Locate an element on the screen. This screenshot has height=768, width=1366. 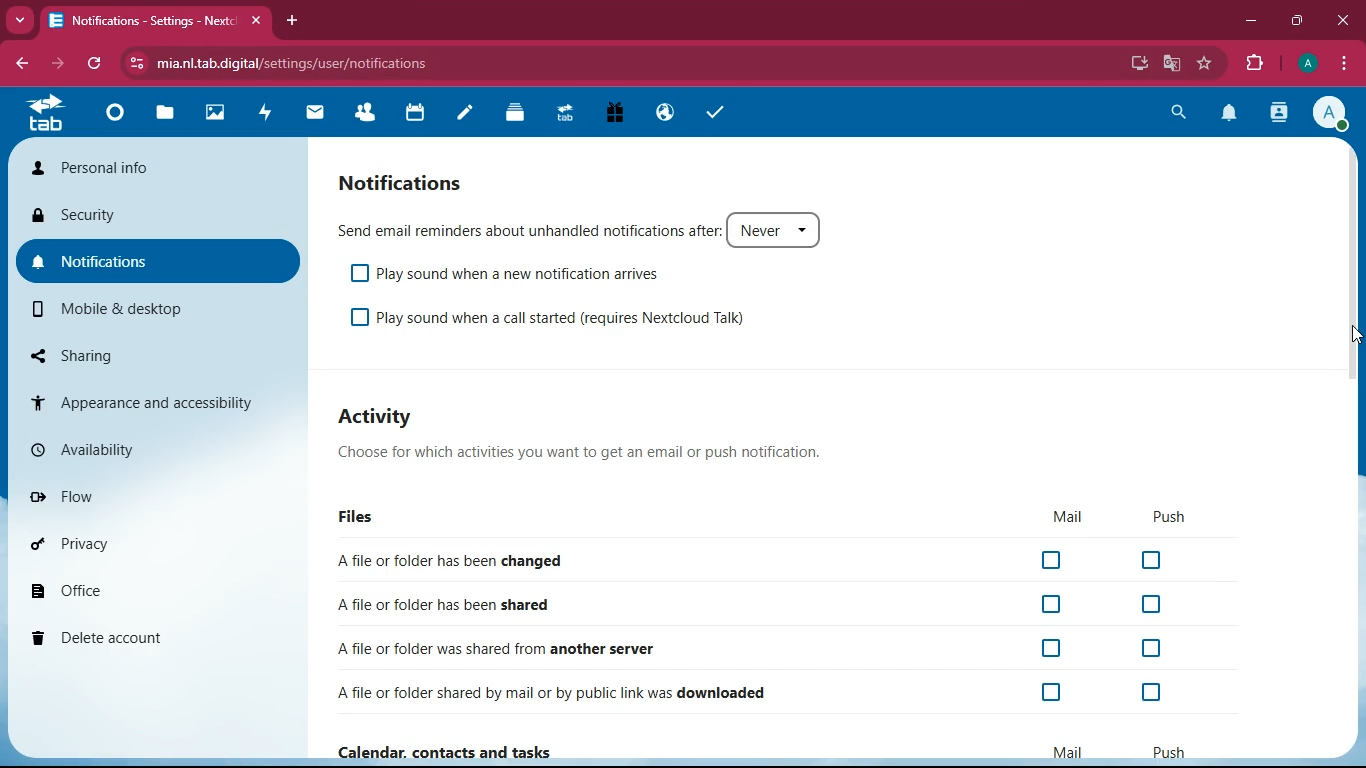
cursor is located at coordinates (1355, 336).